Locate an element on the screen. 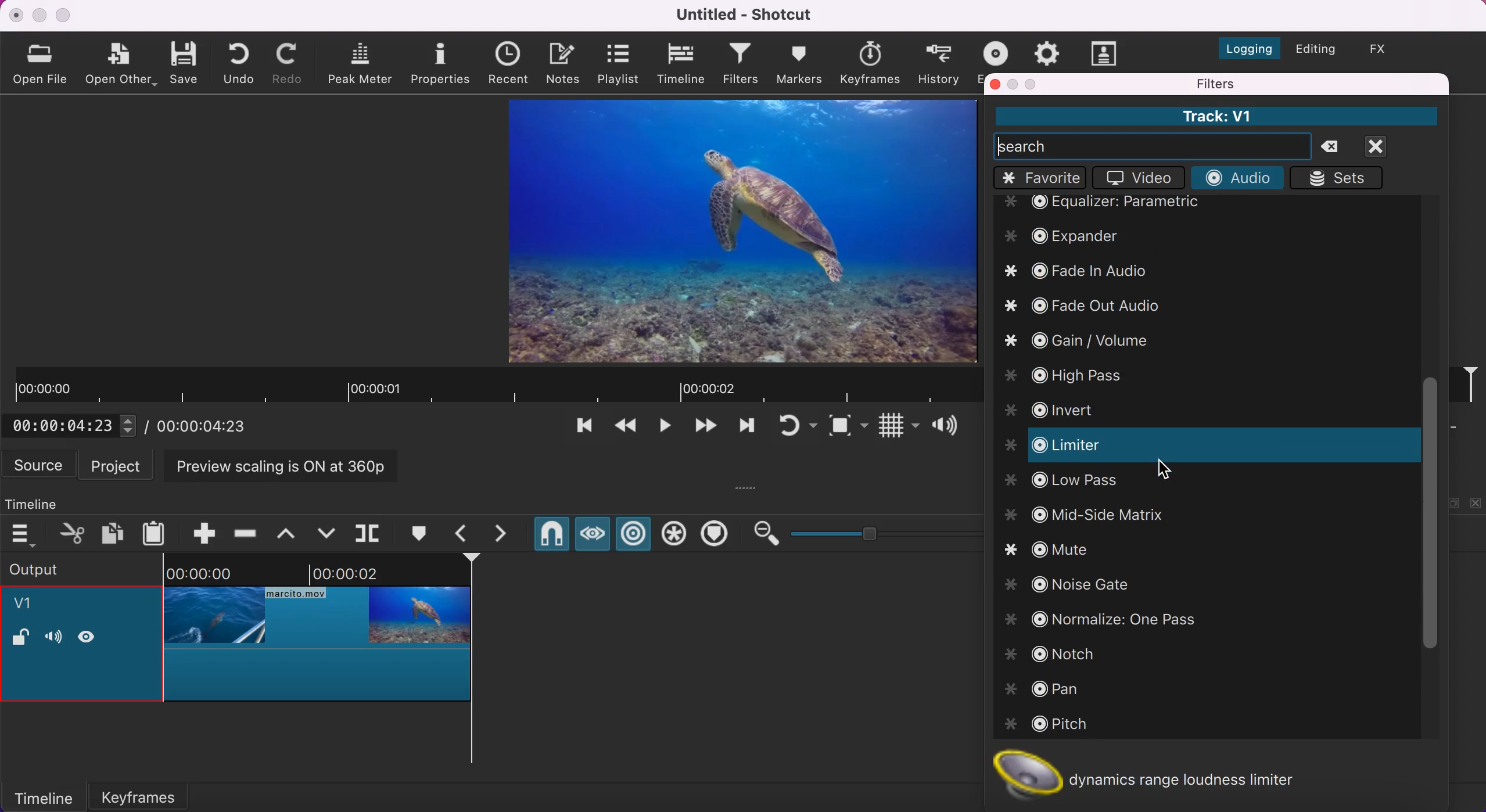 The height and width of the screenshot is (812, 1486). Track: V1 is located at coordinates (1215, 116).